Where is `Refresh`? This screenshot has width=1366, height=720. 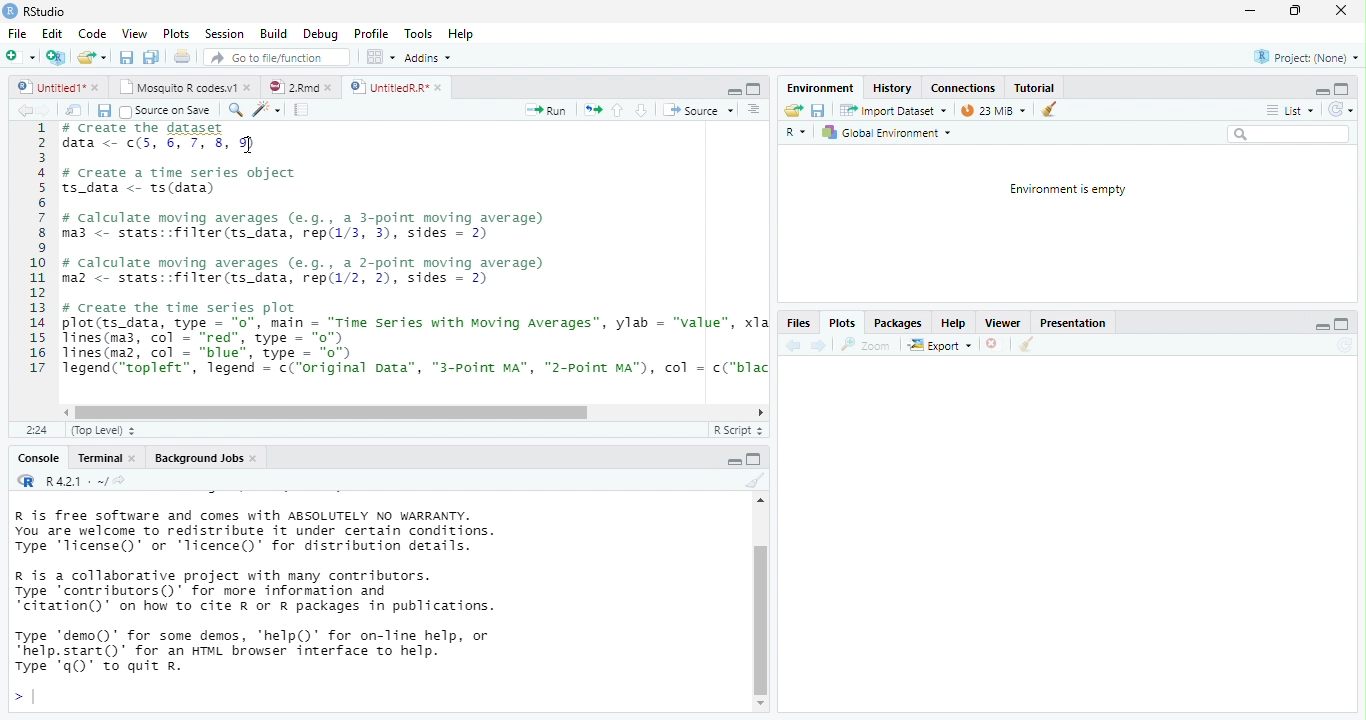
Refresh is located at coordinates (1345, 345).